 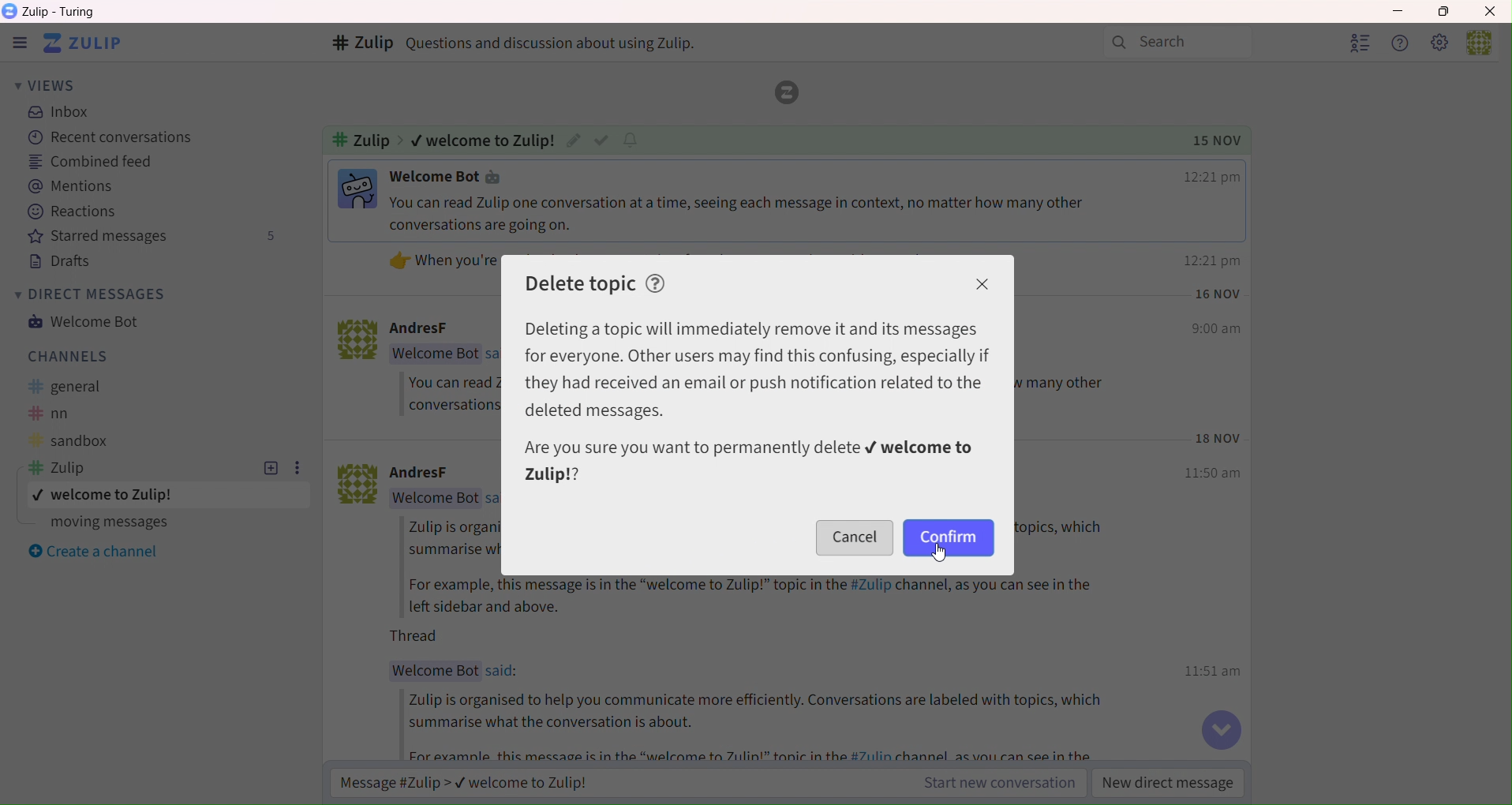 What do you see at coordinates (1169, 783) in the screenshot?
I see `New direct message` at bounding box center [1169, 783].